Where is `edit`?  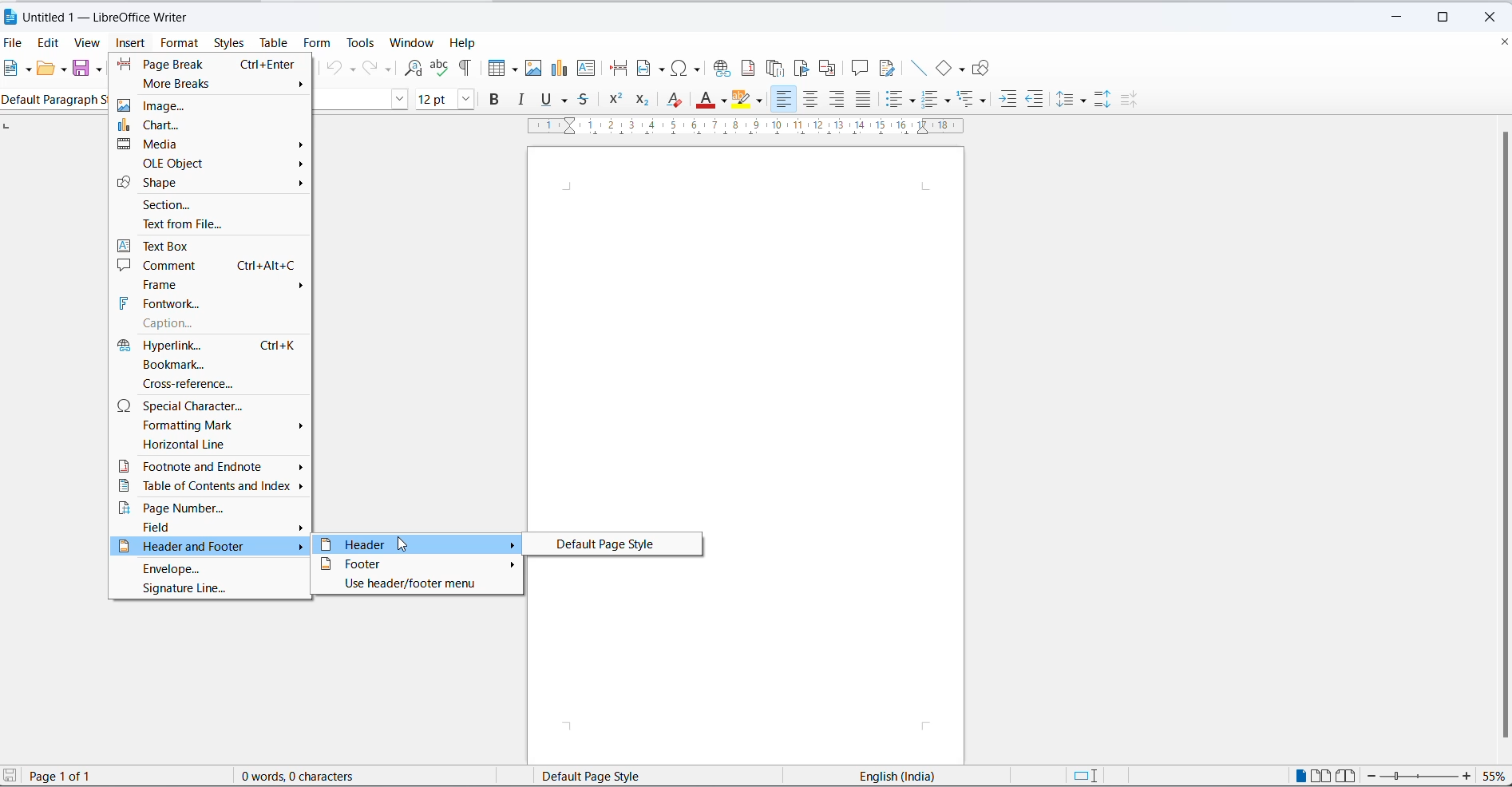 edit is located at coordinates (49, 42).